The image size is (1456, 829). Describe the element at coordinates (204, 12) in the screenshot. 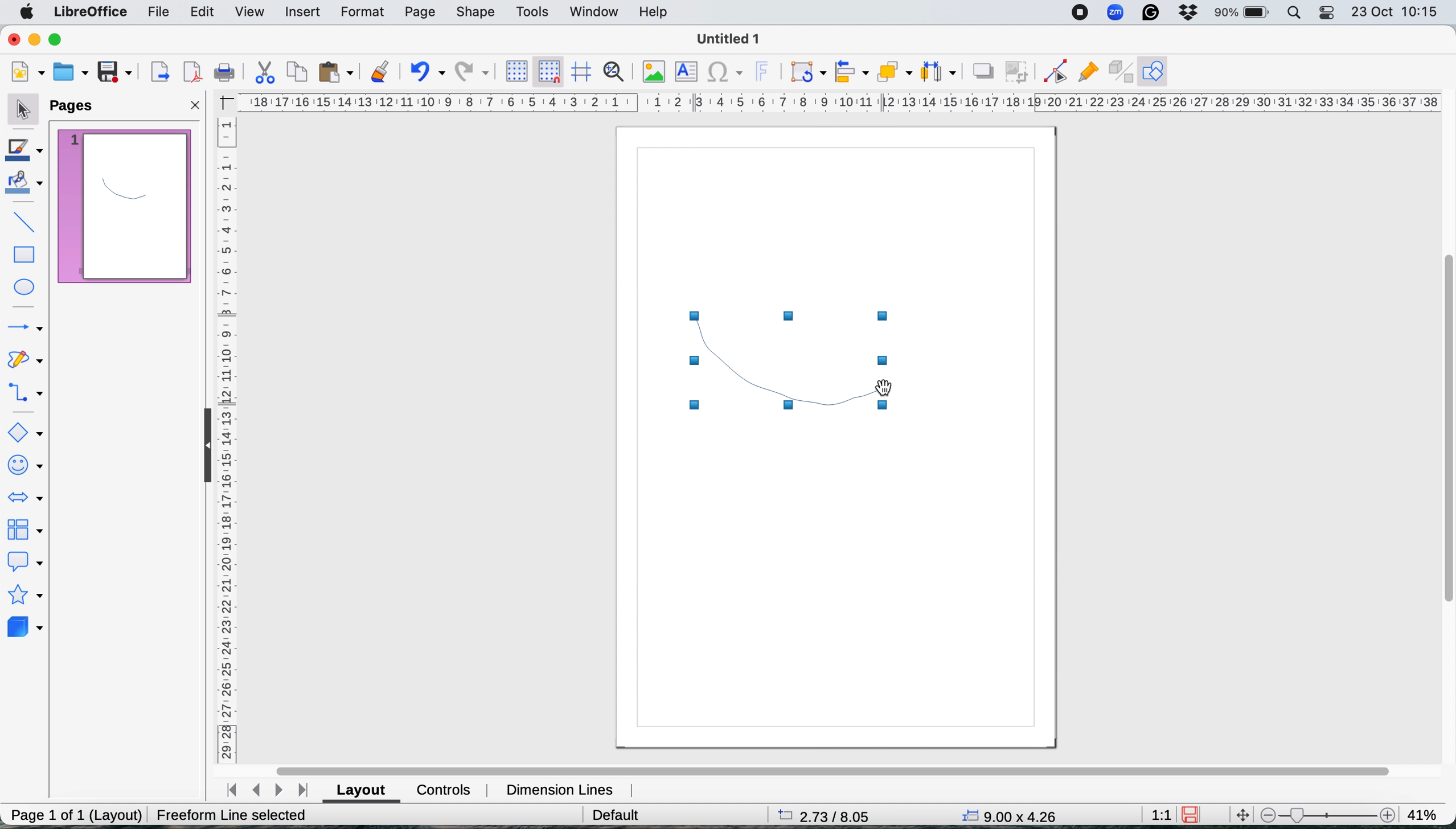

I see `edit` at that location.